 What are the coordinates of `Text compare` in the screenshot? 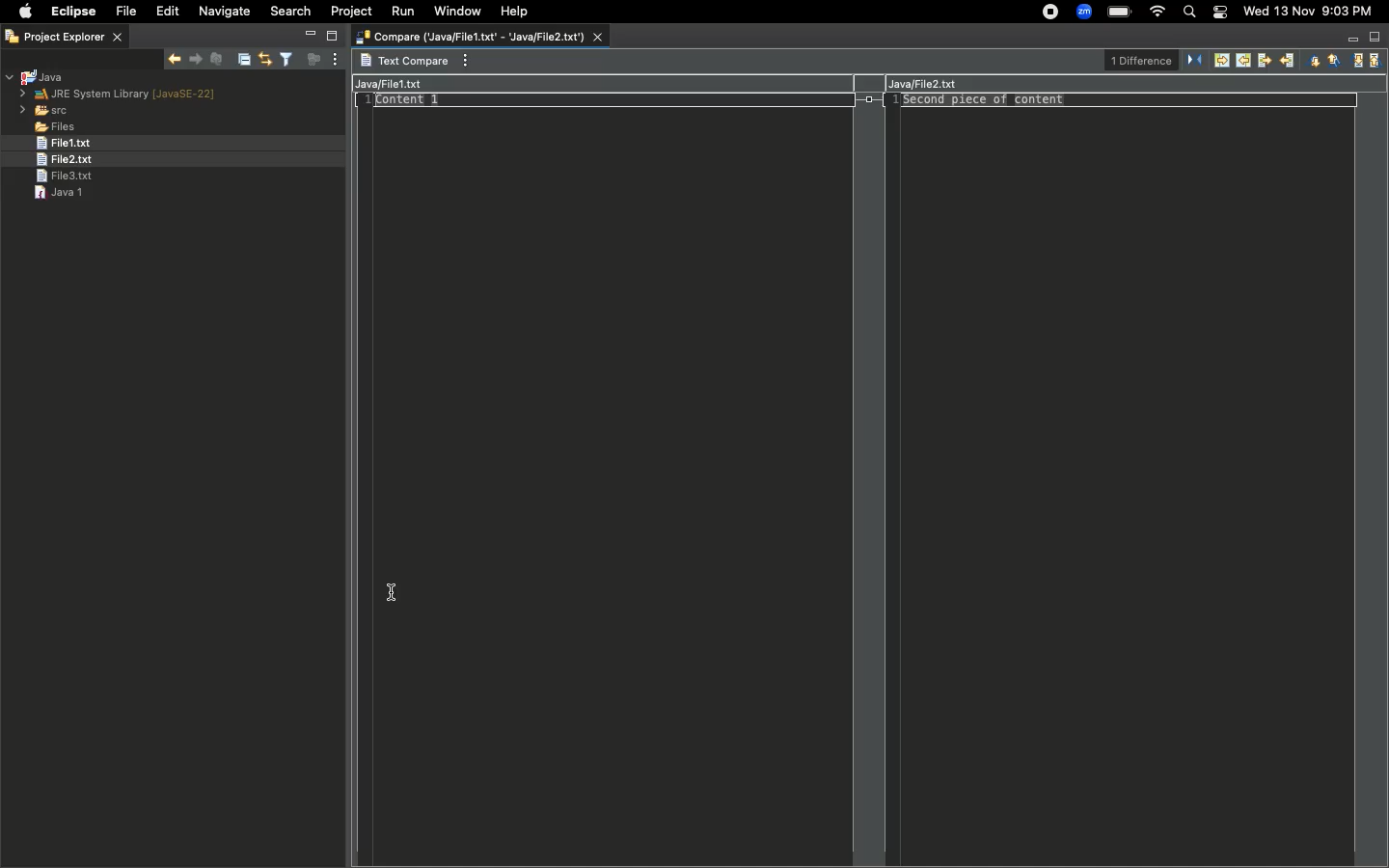 It's located at (402, 60).